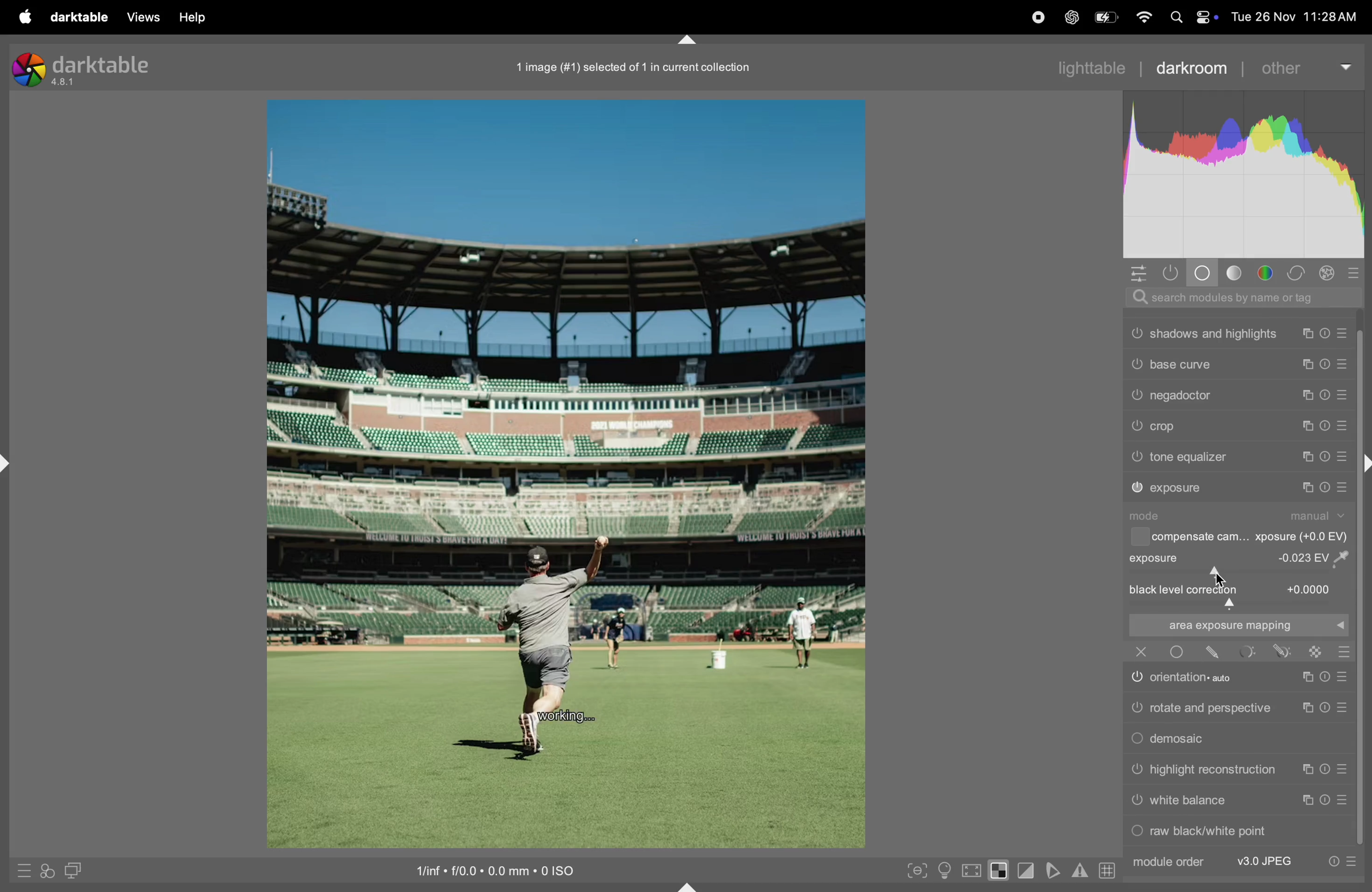 Image resolution: width=1372 pixels, height=892 pixels. Describe the element at coordinates (1069, 18) in the screenshot. I see `chatgpt` at that location.